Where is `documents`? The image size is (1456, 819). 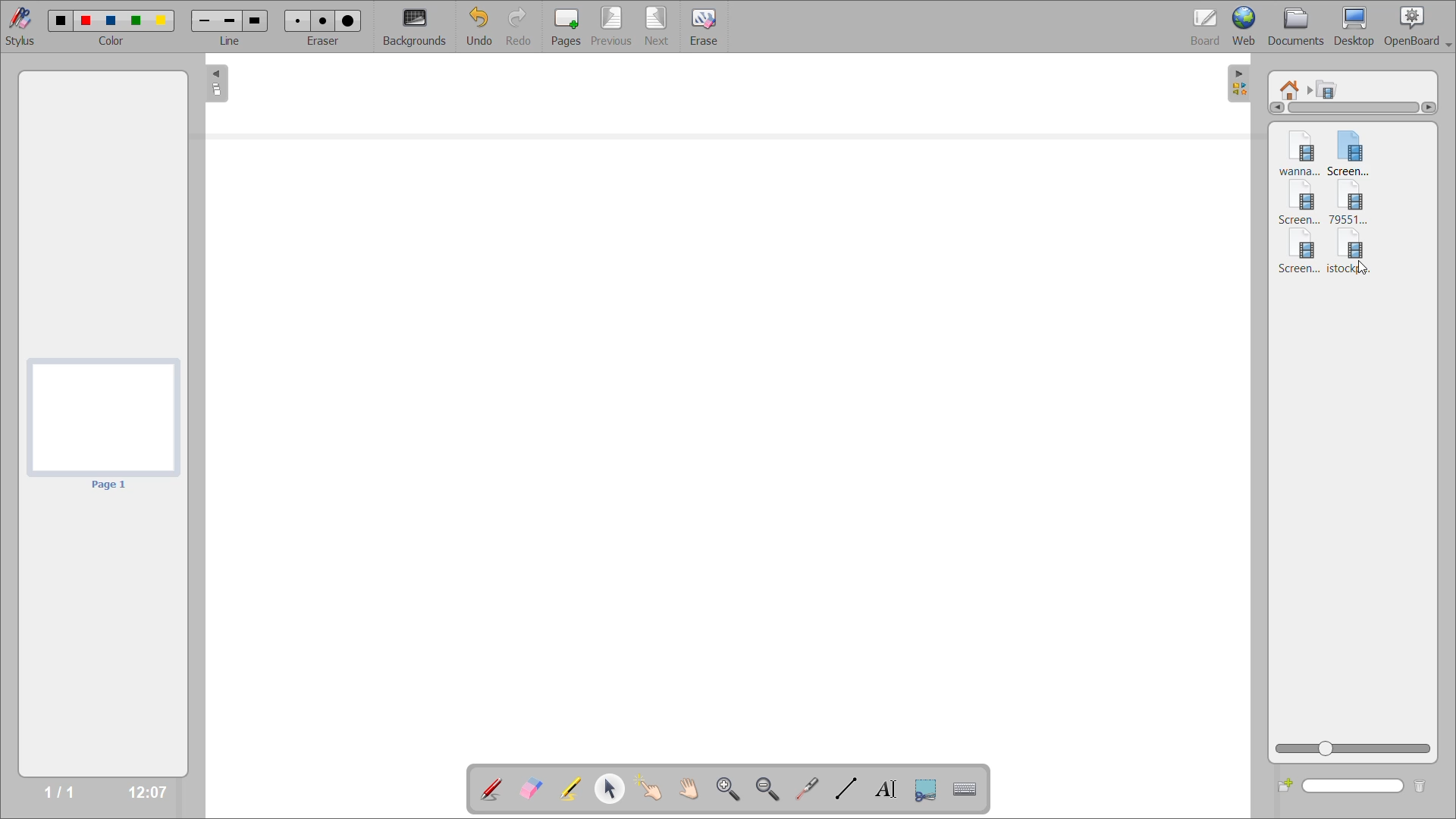 documents is located at coordinates (1298, 26).